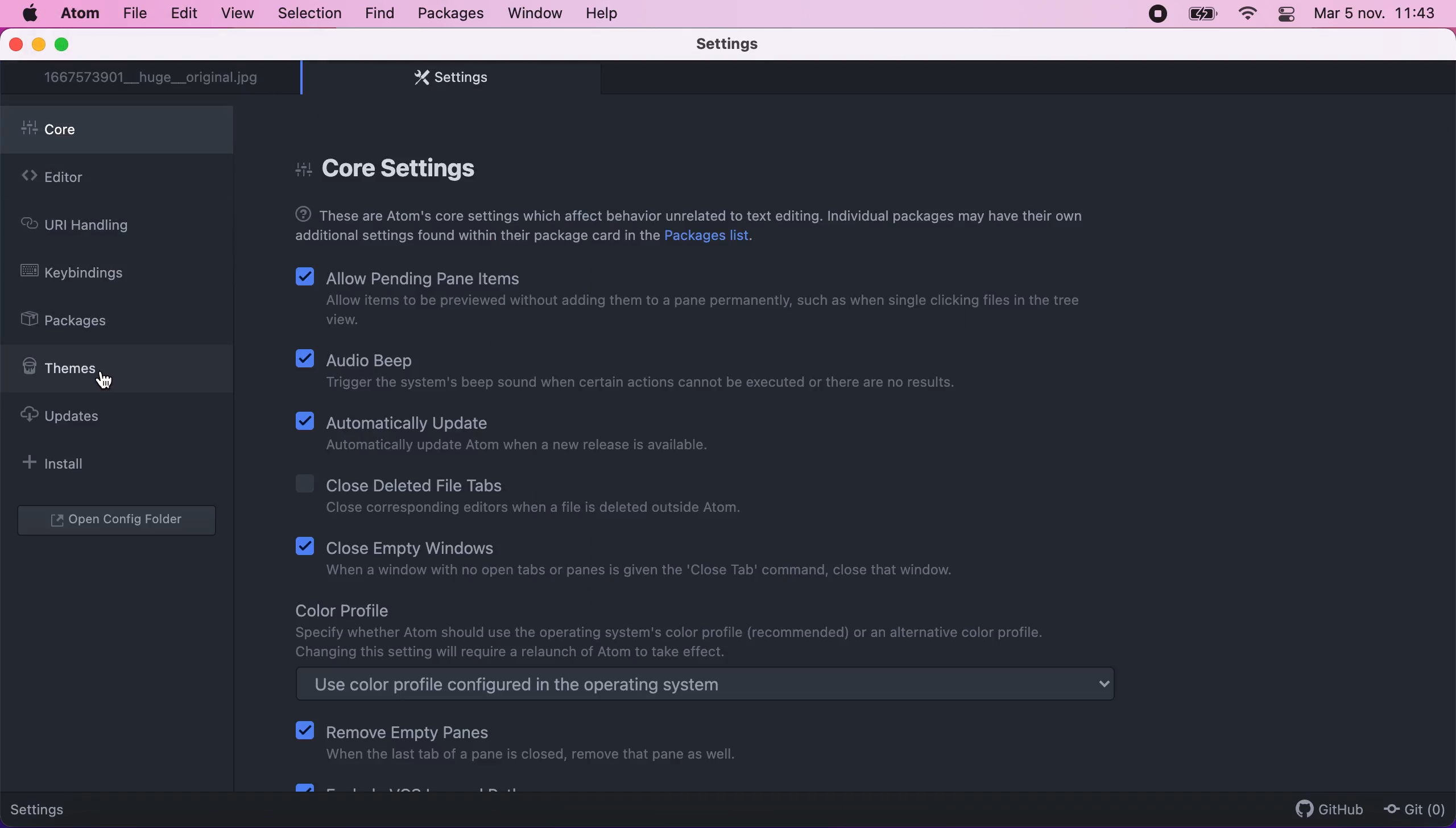 This screenshot has height=828, width=1456. I want to click on 1667573901__huge__original.jpg, so click(155, 78).